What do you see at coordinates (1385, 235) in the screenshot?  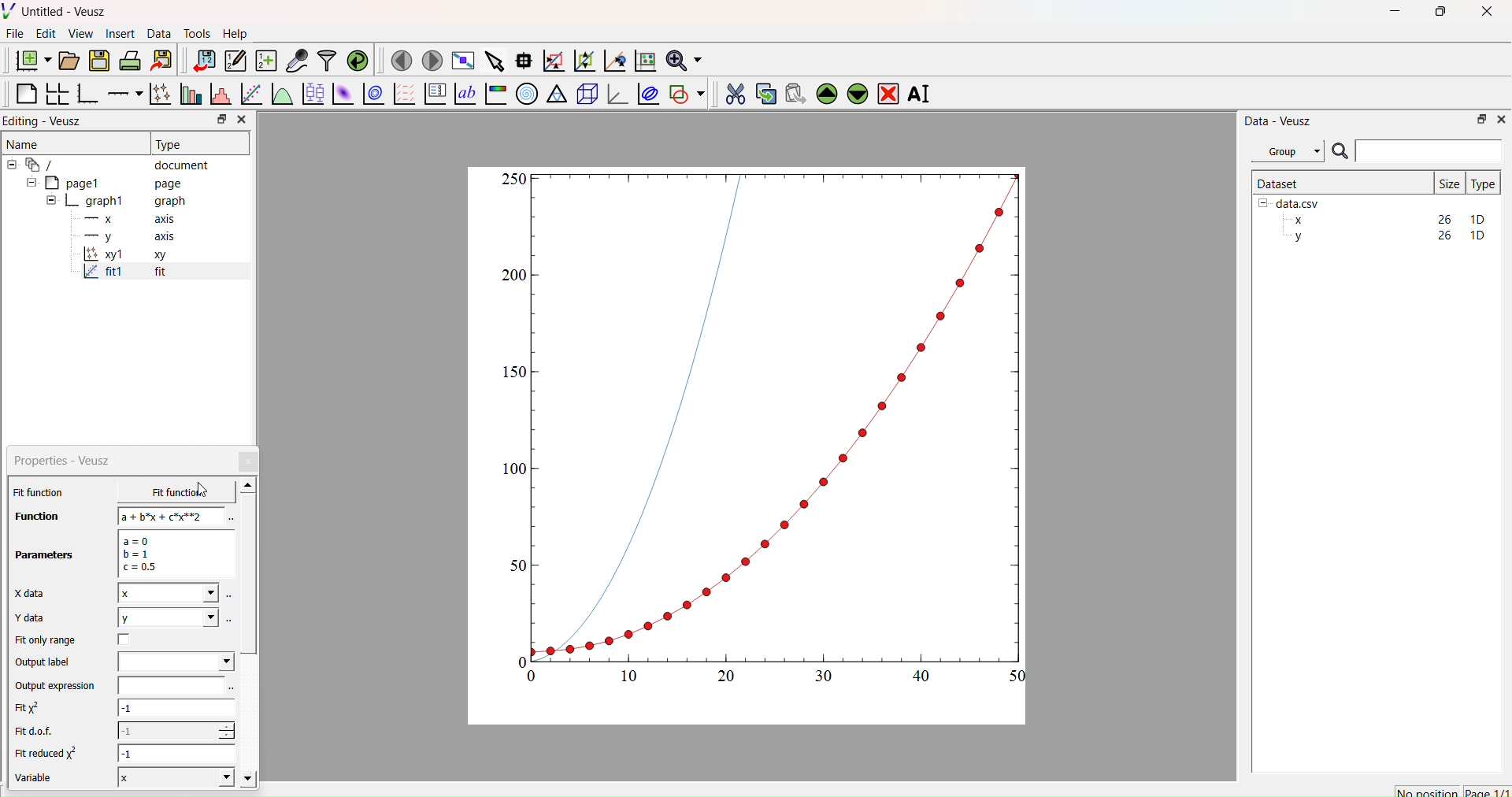 I see `y 26 1D` at bounding box center [1385, 235].